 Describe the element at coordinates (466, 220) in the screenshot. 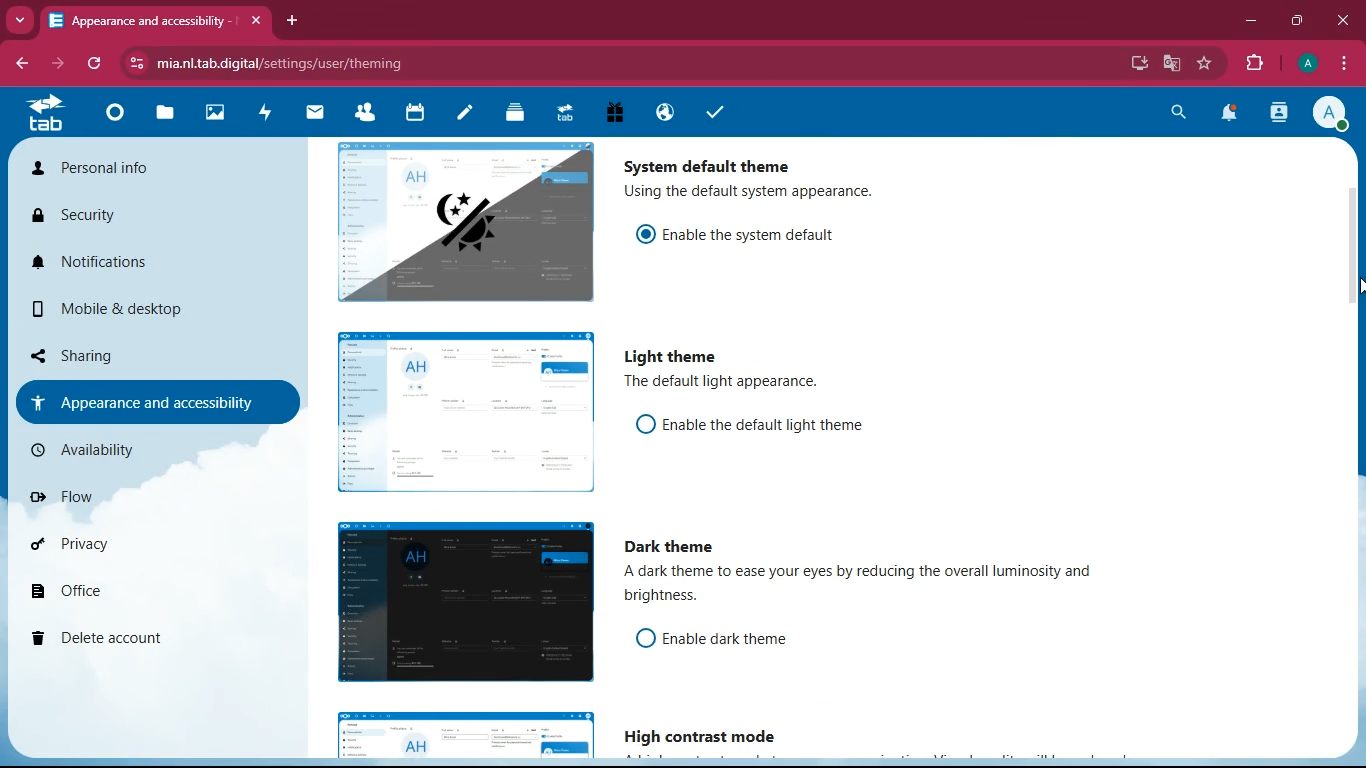

I see `image` at that location.